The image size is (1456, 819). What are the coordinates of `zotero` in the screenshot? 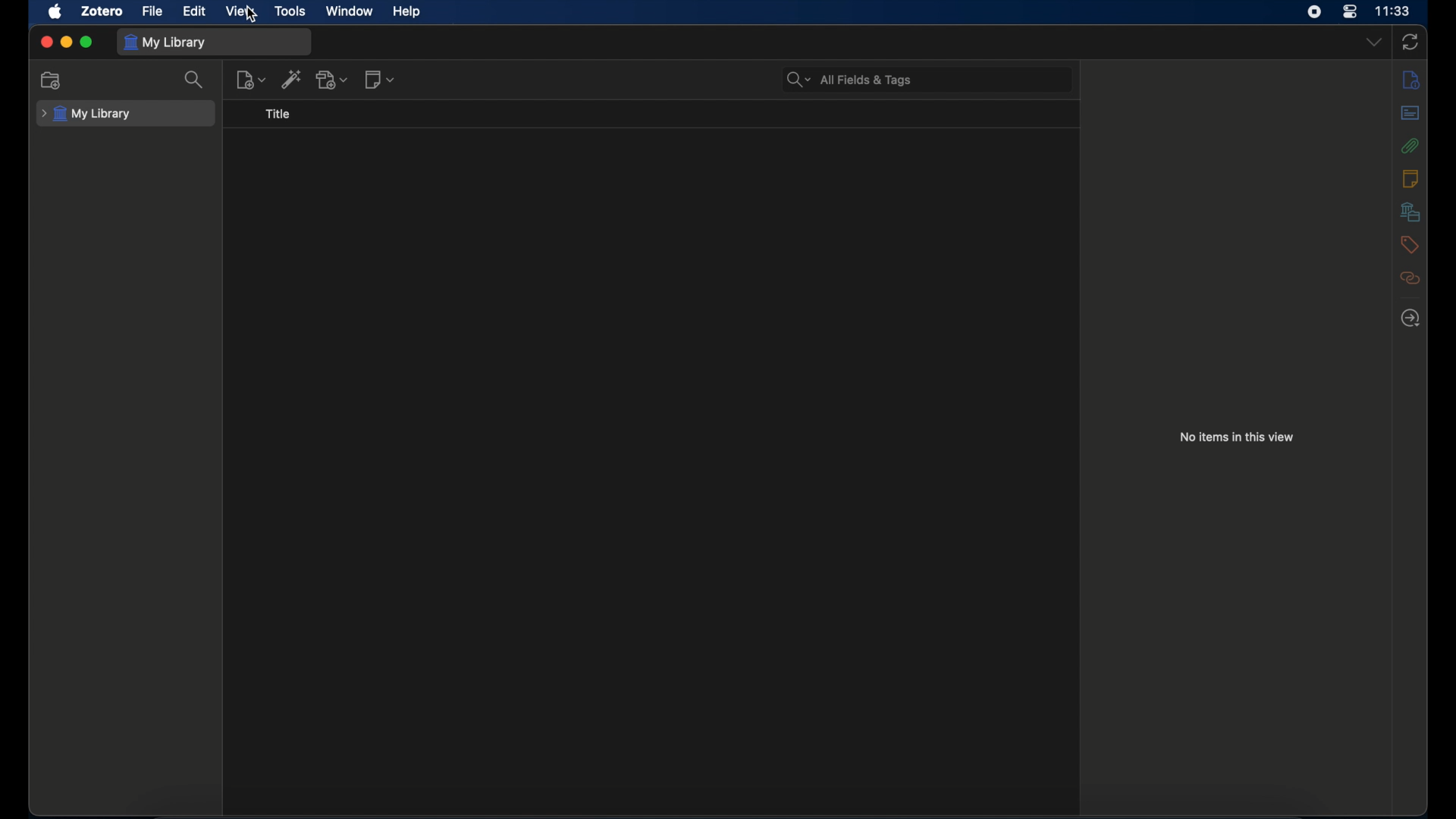 It's located at (102, 11).